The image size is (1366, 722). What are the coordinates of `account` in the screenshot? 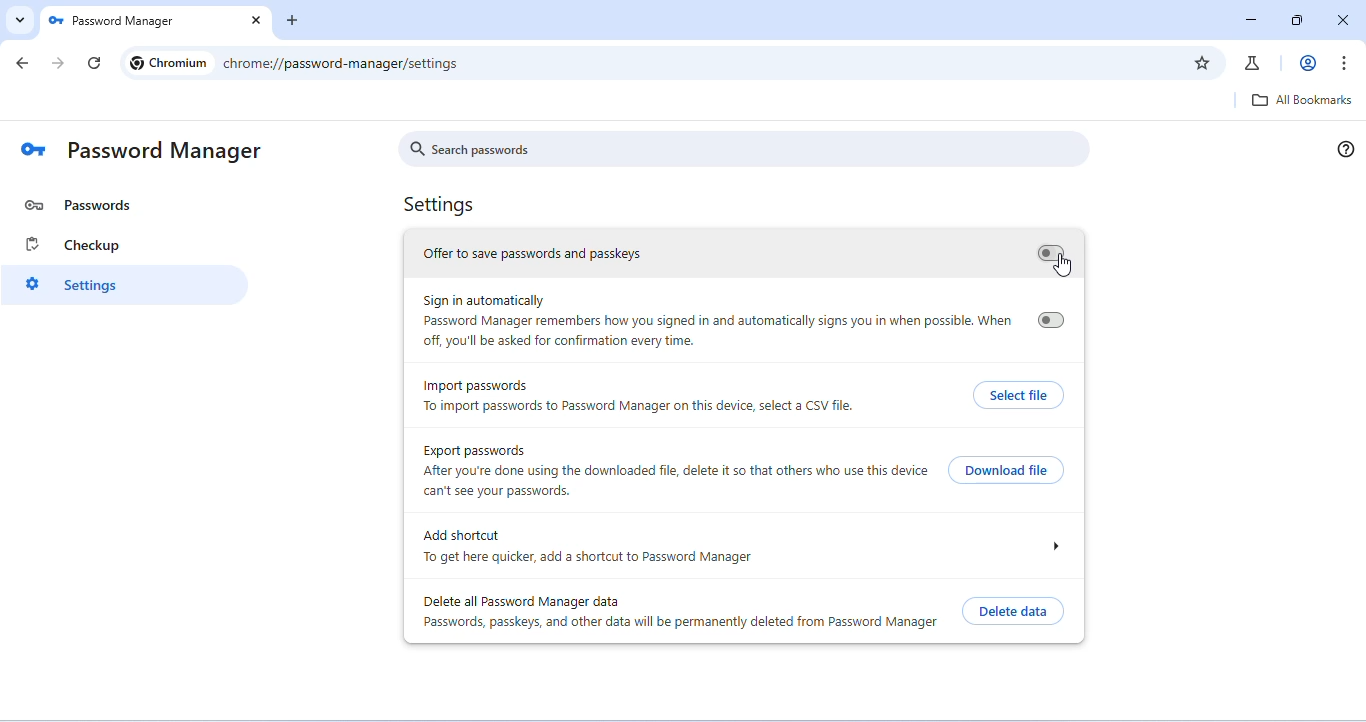 It's located at (1305, 63).